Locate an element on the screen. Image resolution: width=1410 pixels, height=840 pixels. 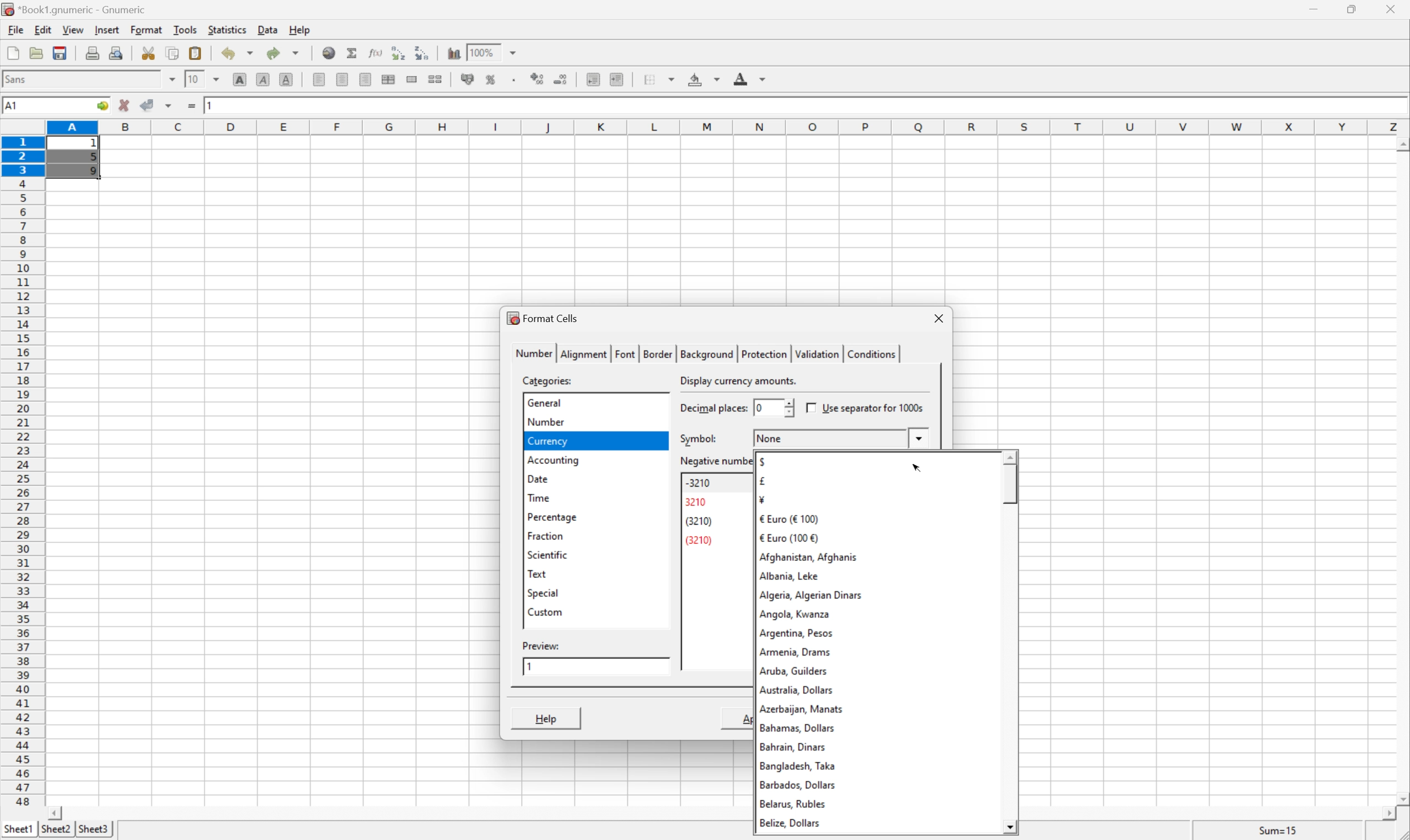
decimal places is located at coordinates (713, 409).